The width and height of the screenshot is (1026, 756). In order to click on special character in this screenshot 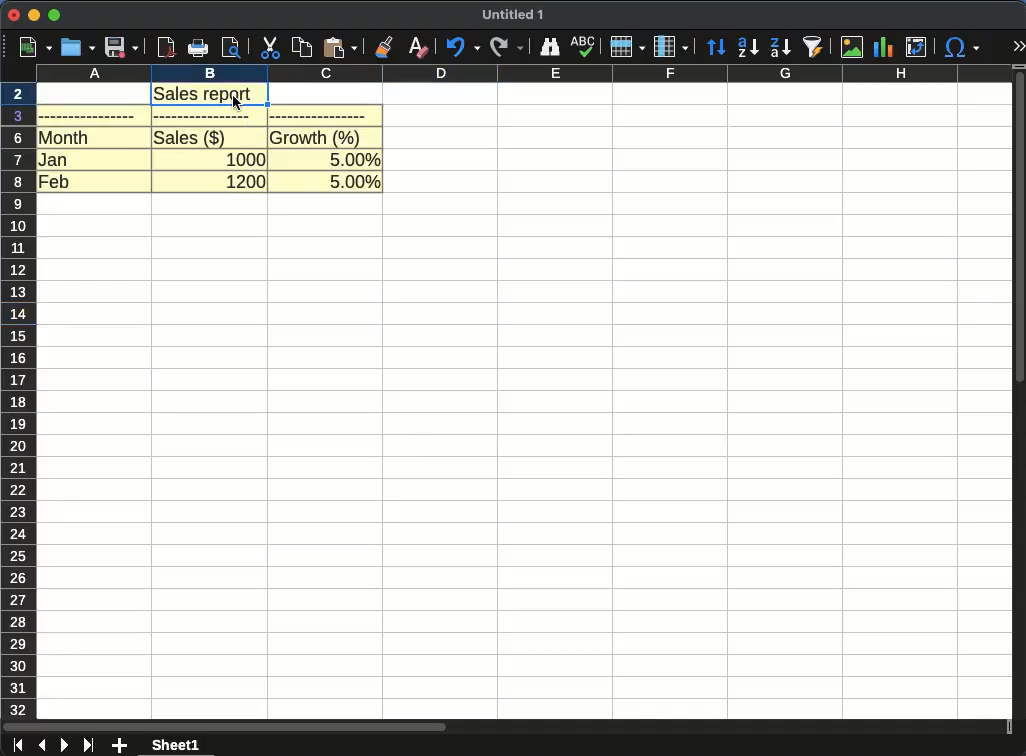, I will do `click(959, 47)`.